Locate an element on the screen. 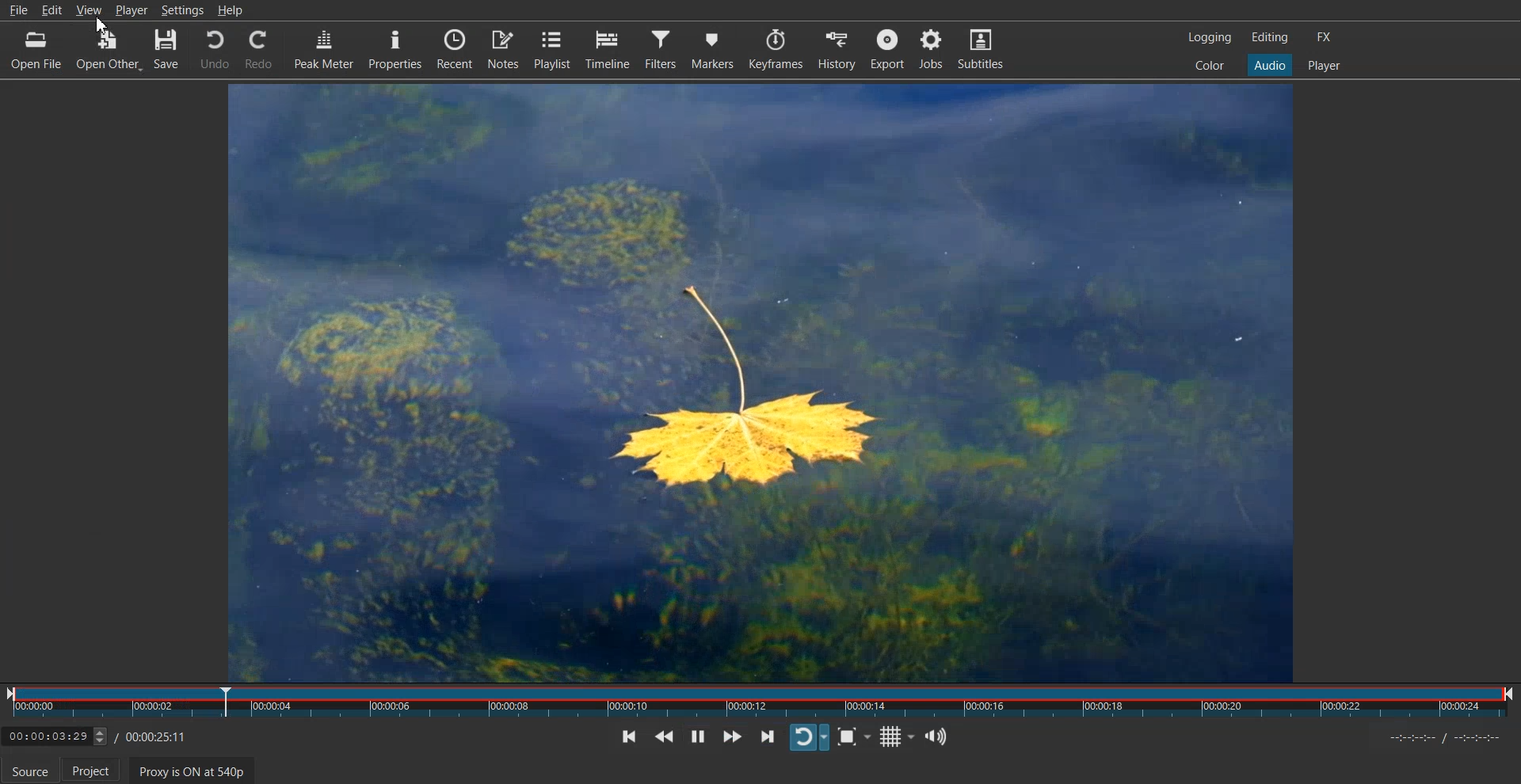 Image resolution: width=1521 pixels, height=784 pixels. Cursor is located at coordinates (103, 25).